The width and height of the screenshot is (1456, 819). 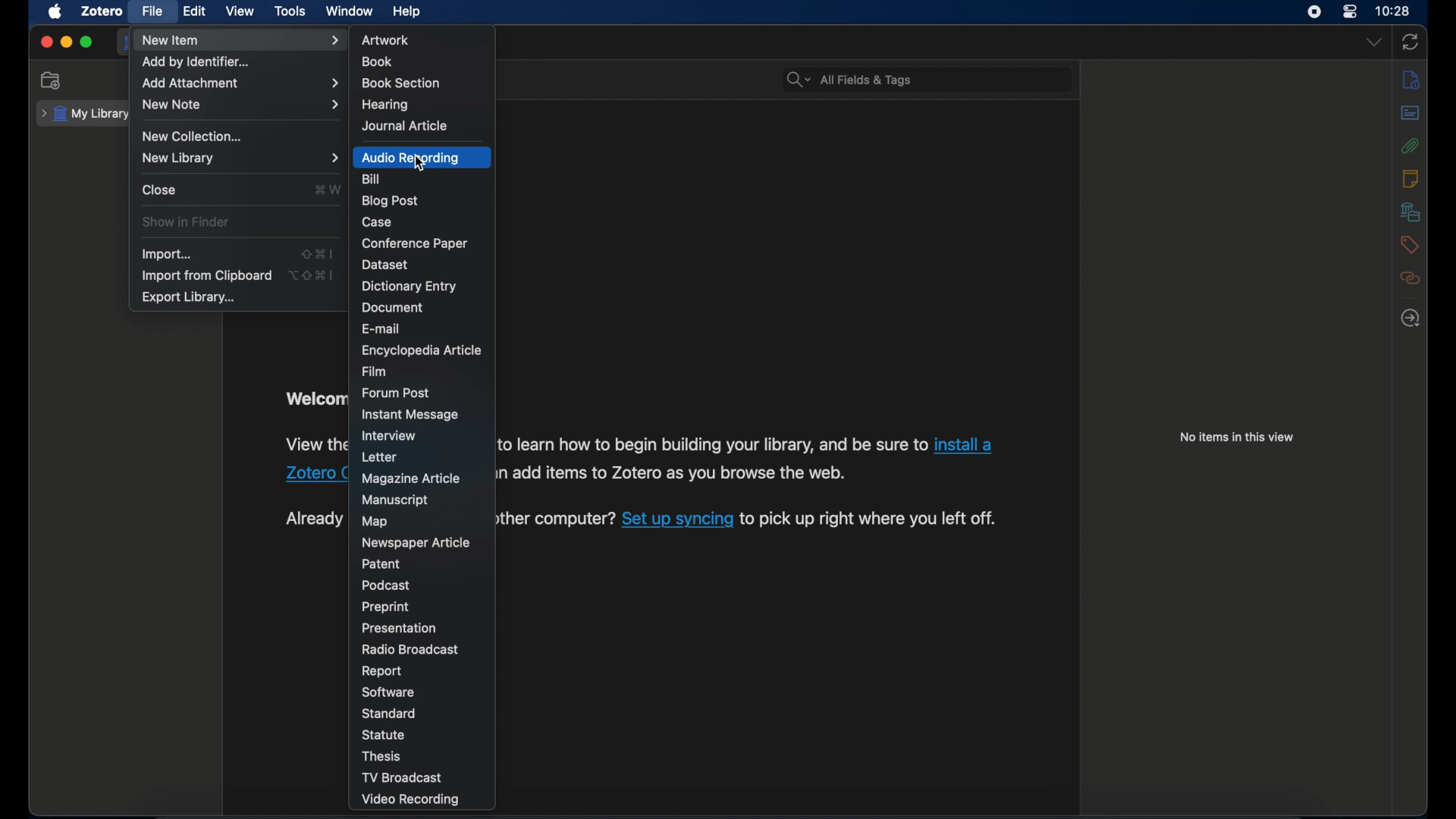 What do you see at coordinates (411, 416) in the screenshot?
I see `instant message` at bounding box center [411, 416].